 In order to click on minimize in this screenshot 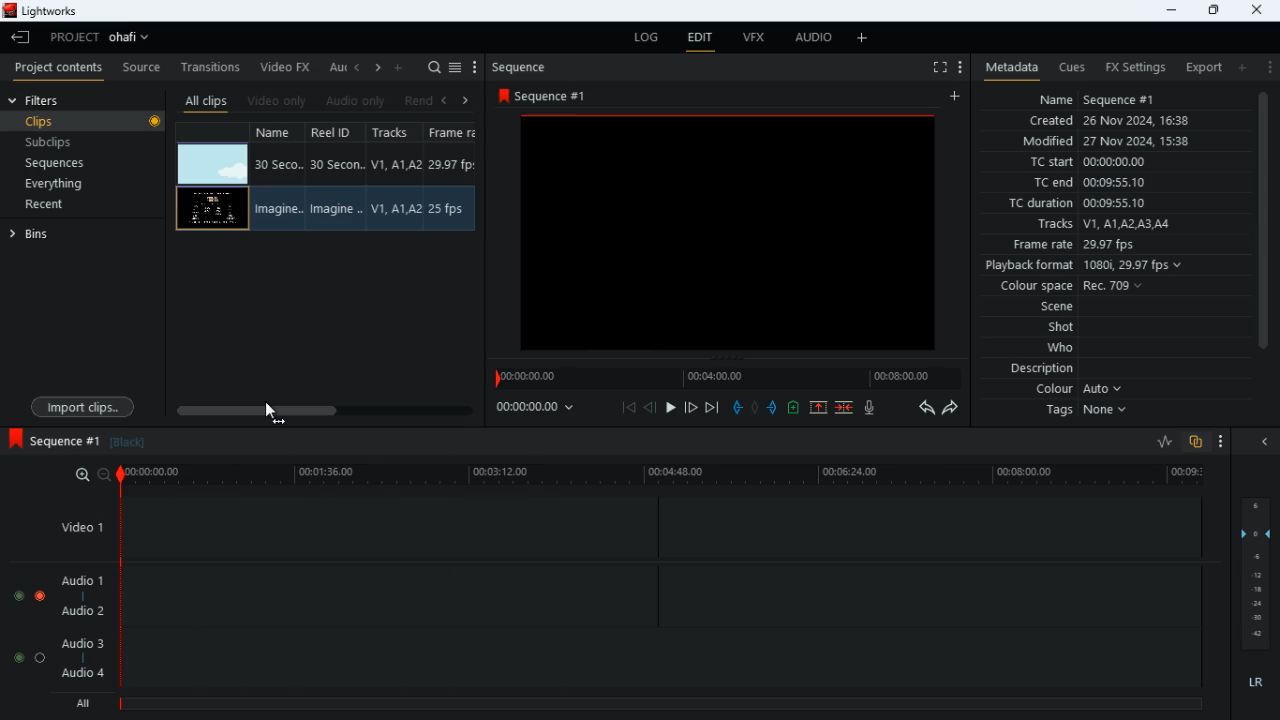, I will do `click(1167, 10)`.